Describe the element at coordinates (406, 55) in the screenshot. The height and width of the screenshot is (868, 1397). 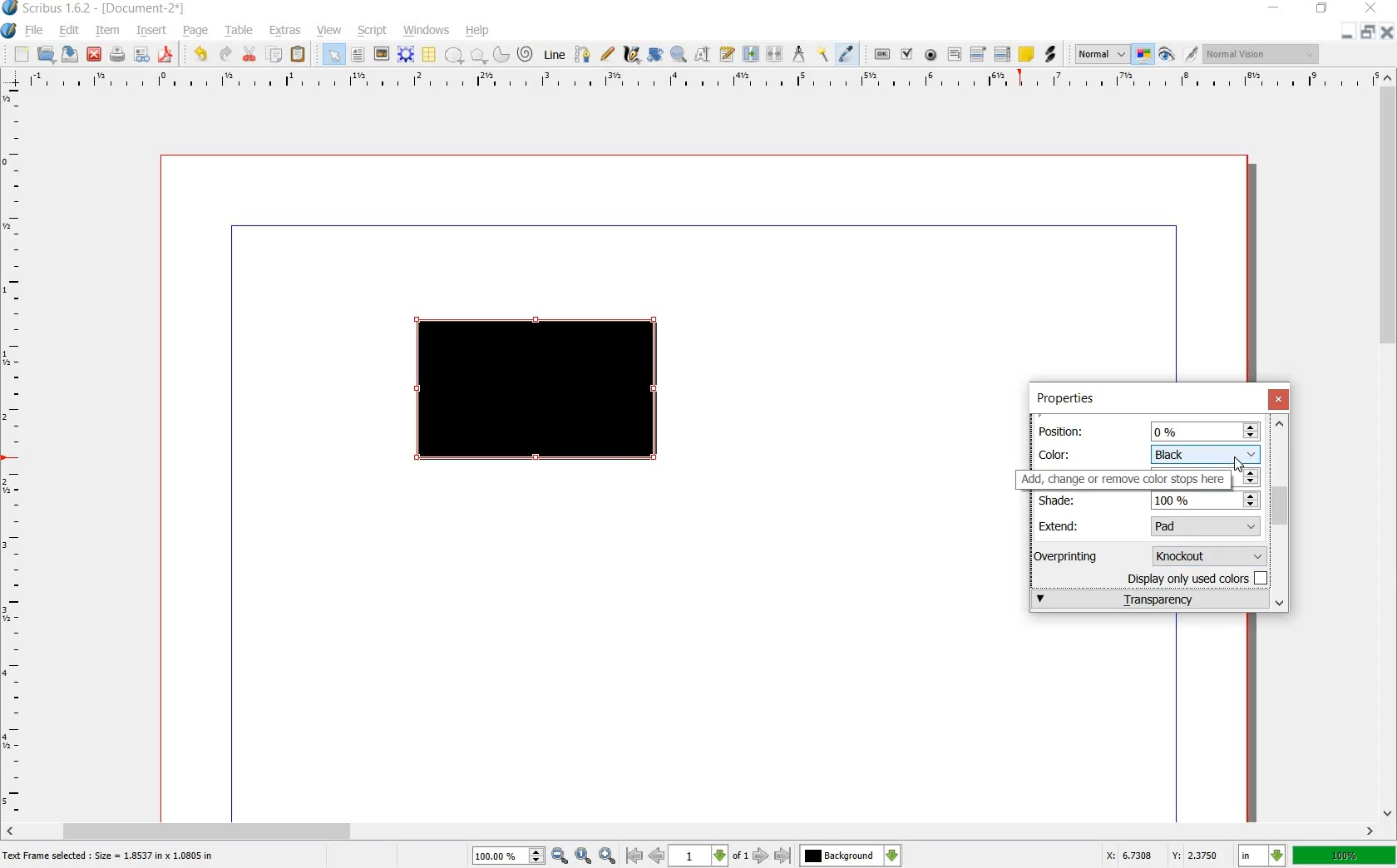
I see `render frame` at that location.